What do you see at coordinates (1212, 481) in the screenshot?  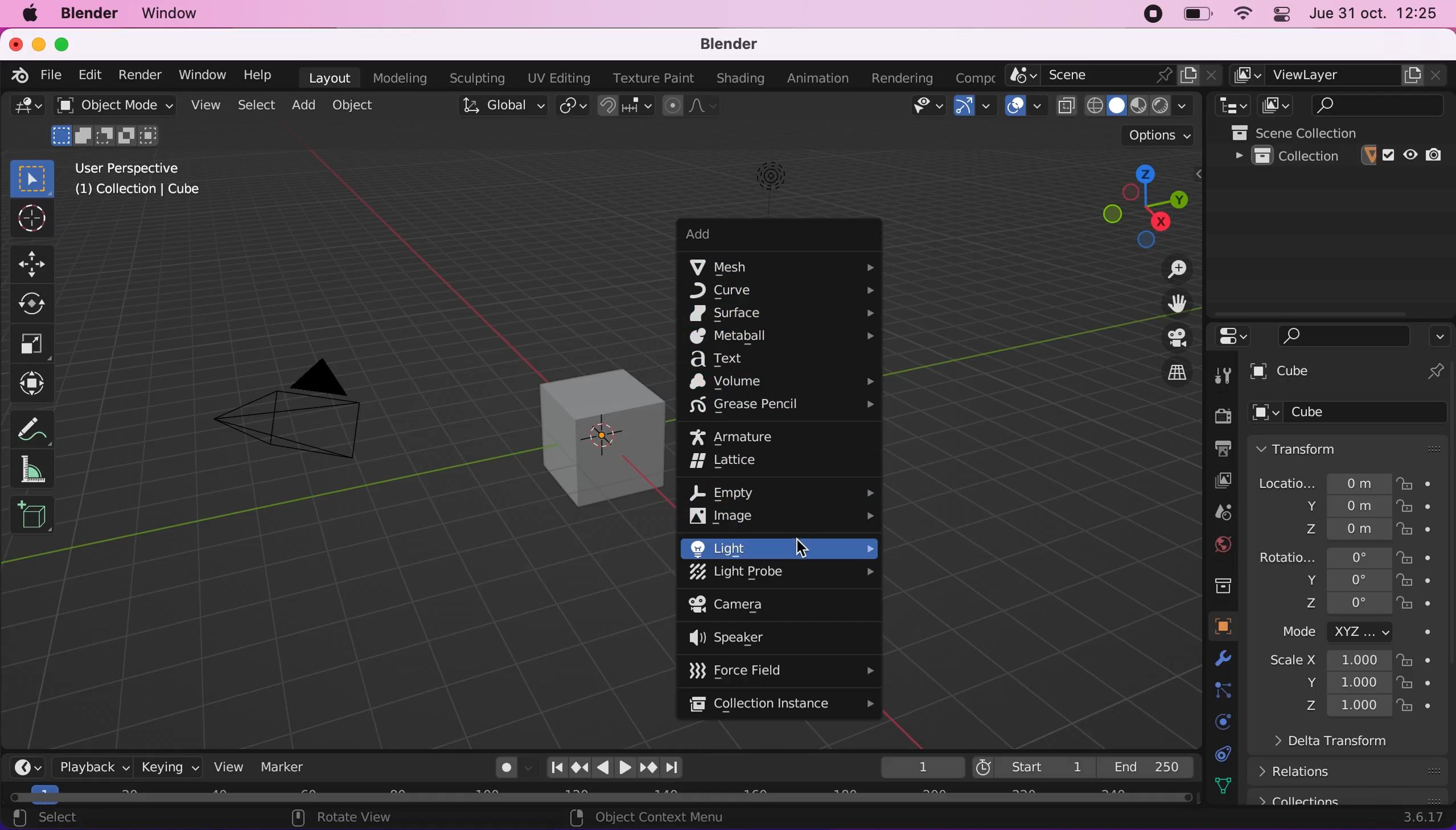 I see `view layer` at bounding box center [1212, 481].